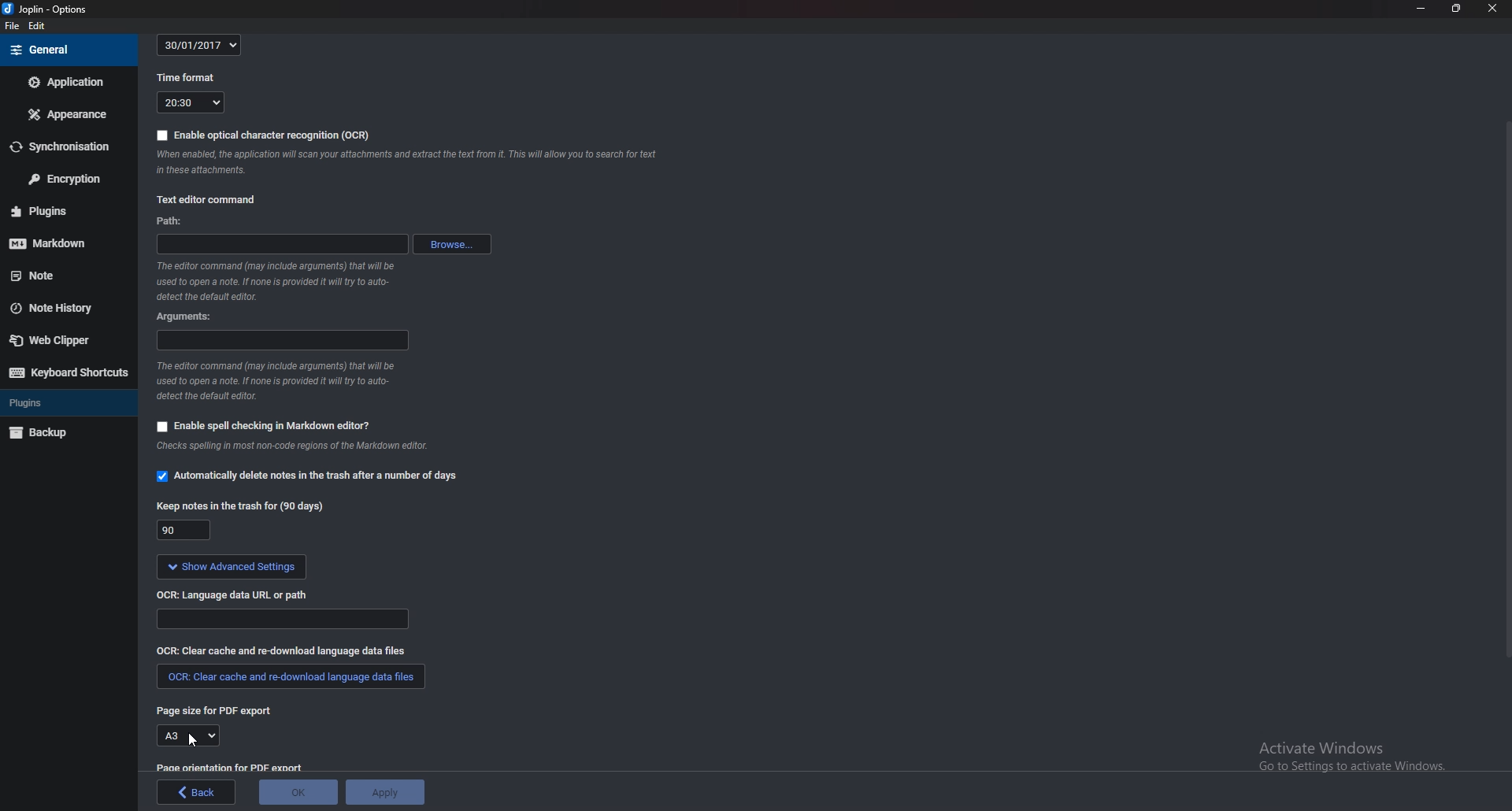  What do you see at coordinates (264, 135) in the screenshot?
I see `Enable O C R` at bounding box center [264, 135].